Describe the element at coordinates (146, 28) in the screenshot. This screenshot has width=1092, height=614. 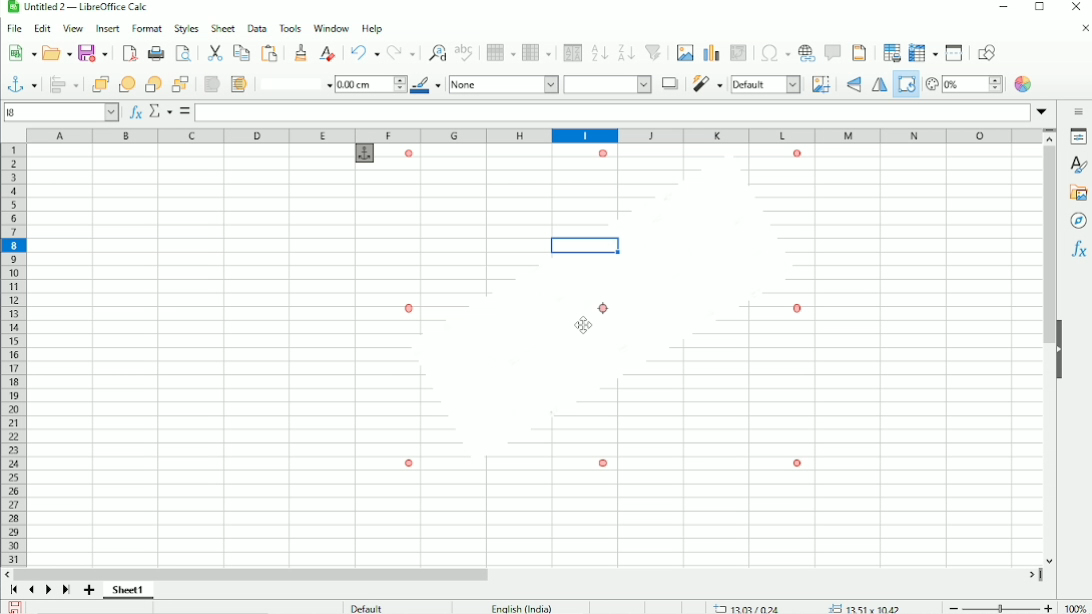
I see `Format` at that location.